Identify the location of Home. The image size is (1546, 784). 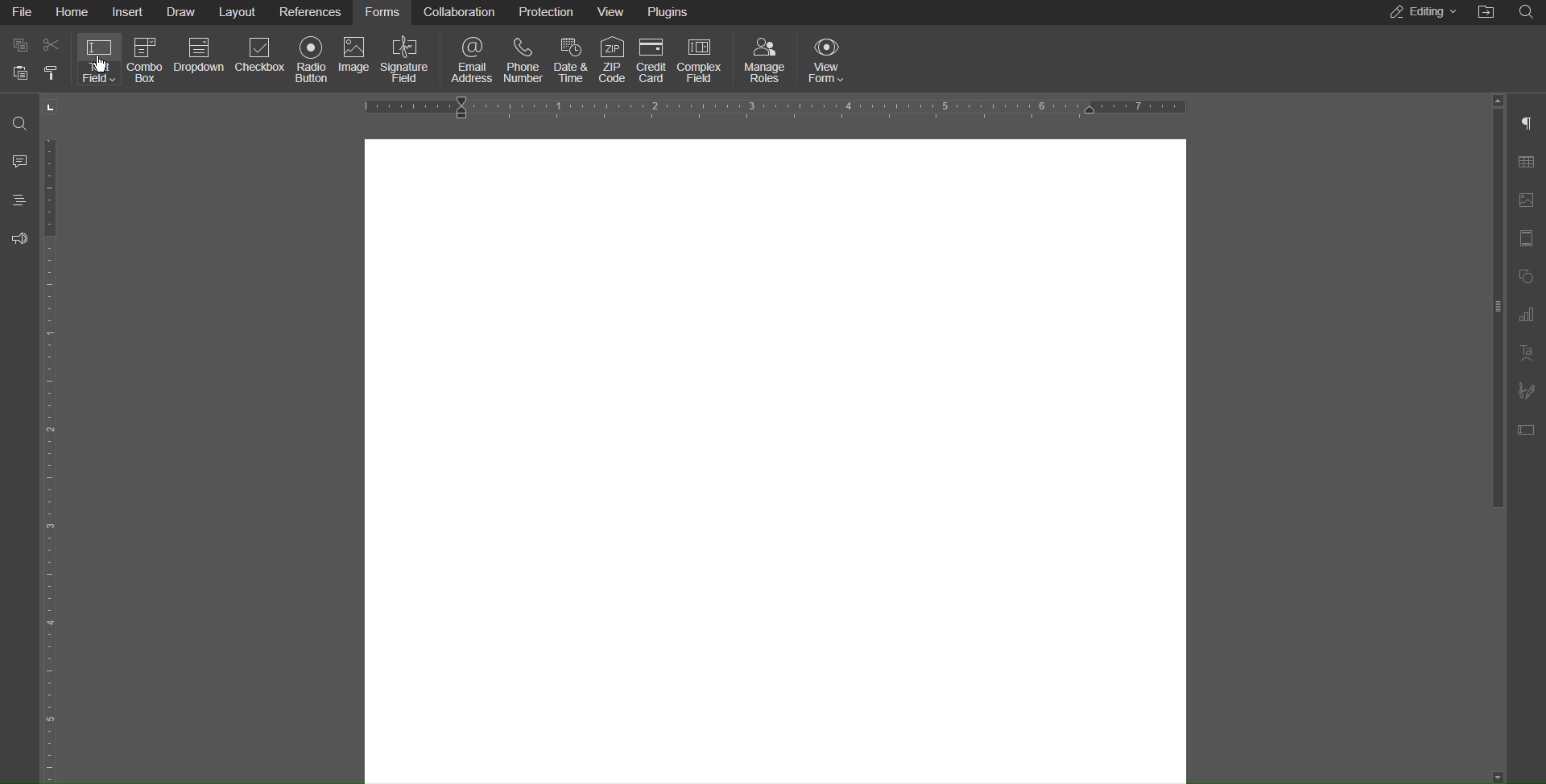
(72, 12).